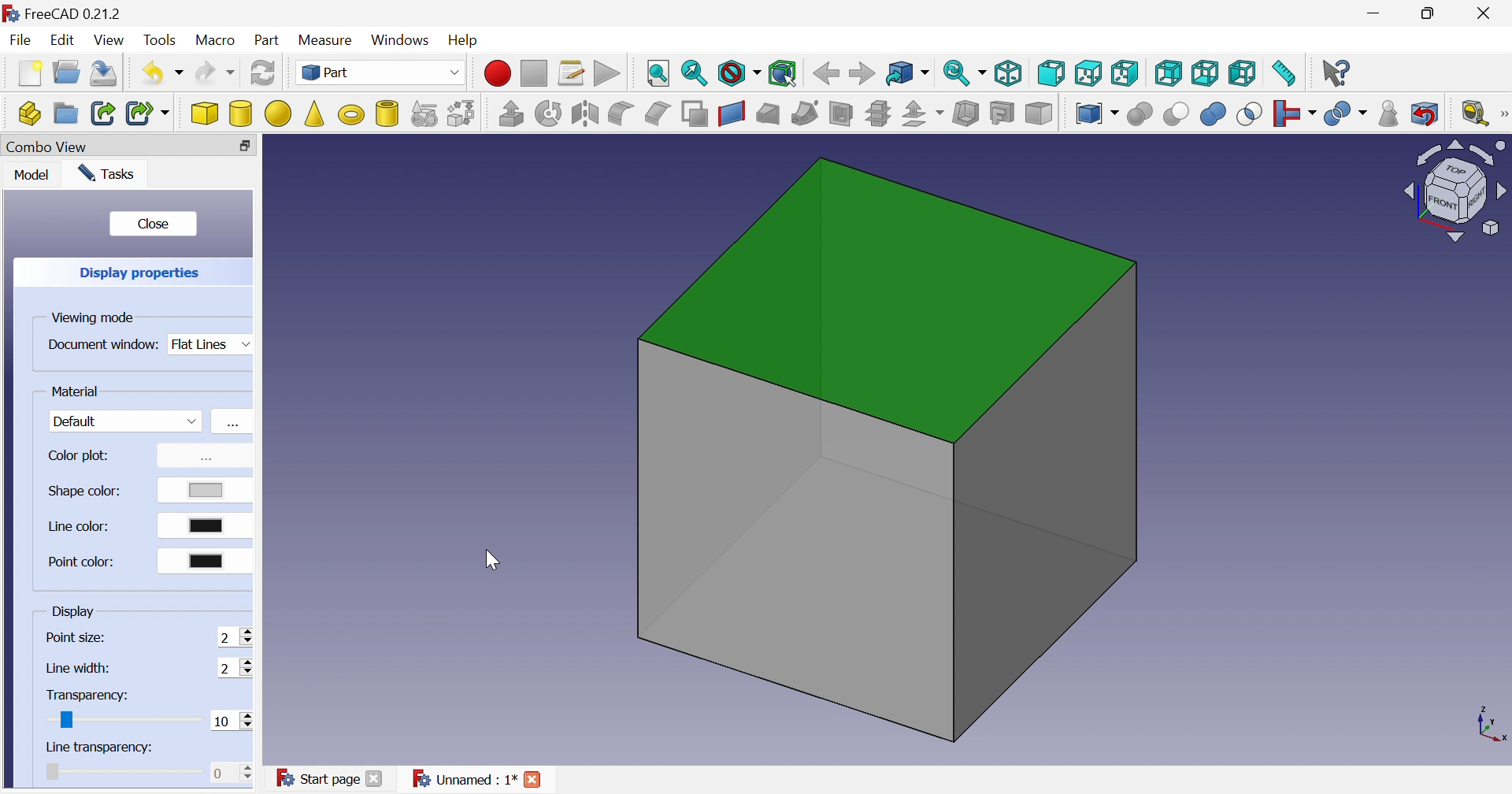  What do you see at coordinates (463, 114) in the screenshot?
I see `Shape builder` at bounding box center [463, 114].